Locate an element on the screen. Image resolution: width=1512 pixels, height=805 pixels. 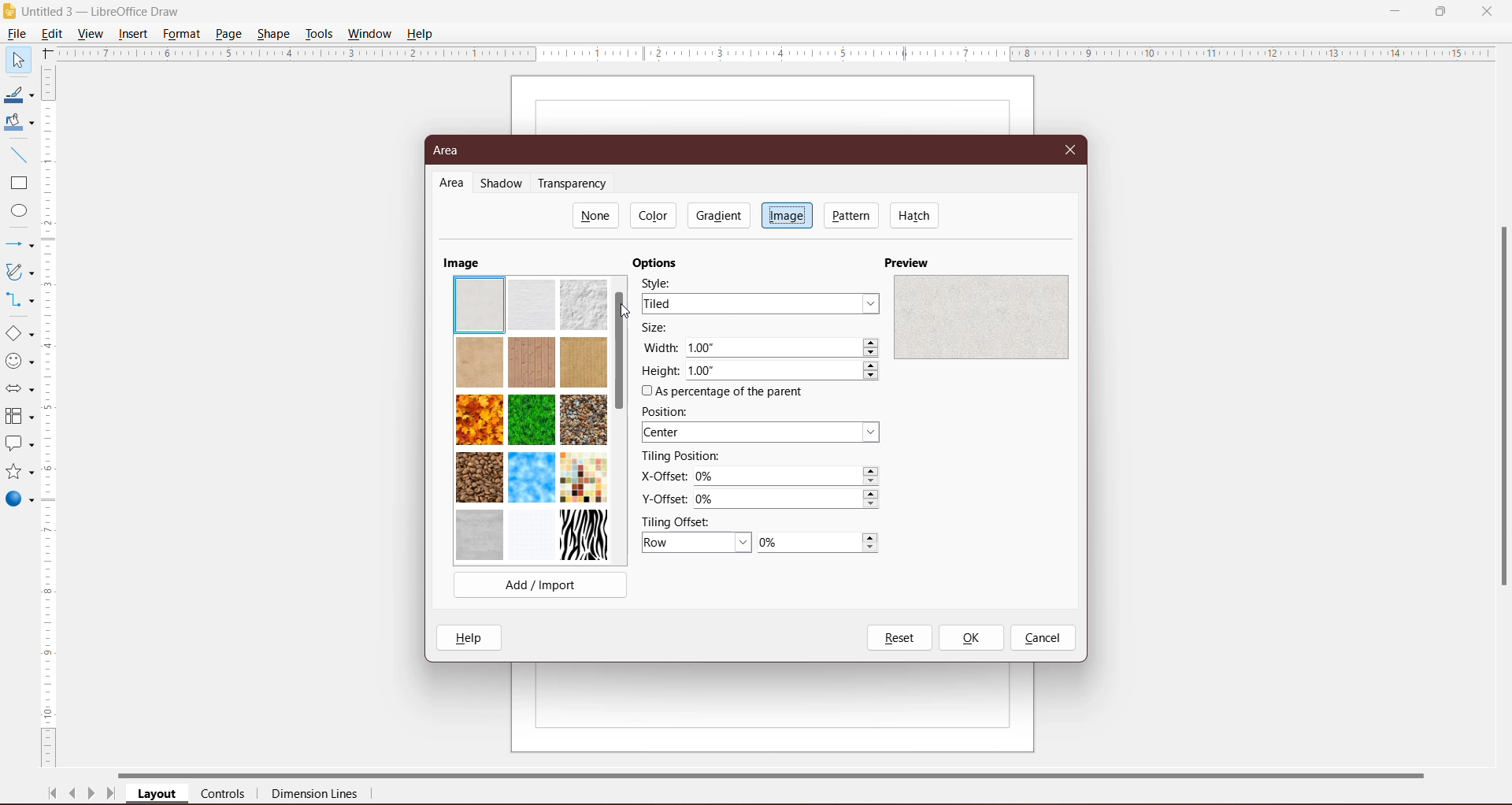
X-Offset is located at coordinates (661, 476).